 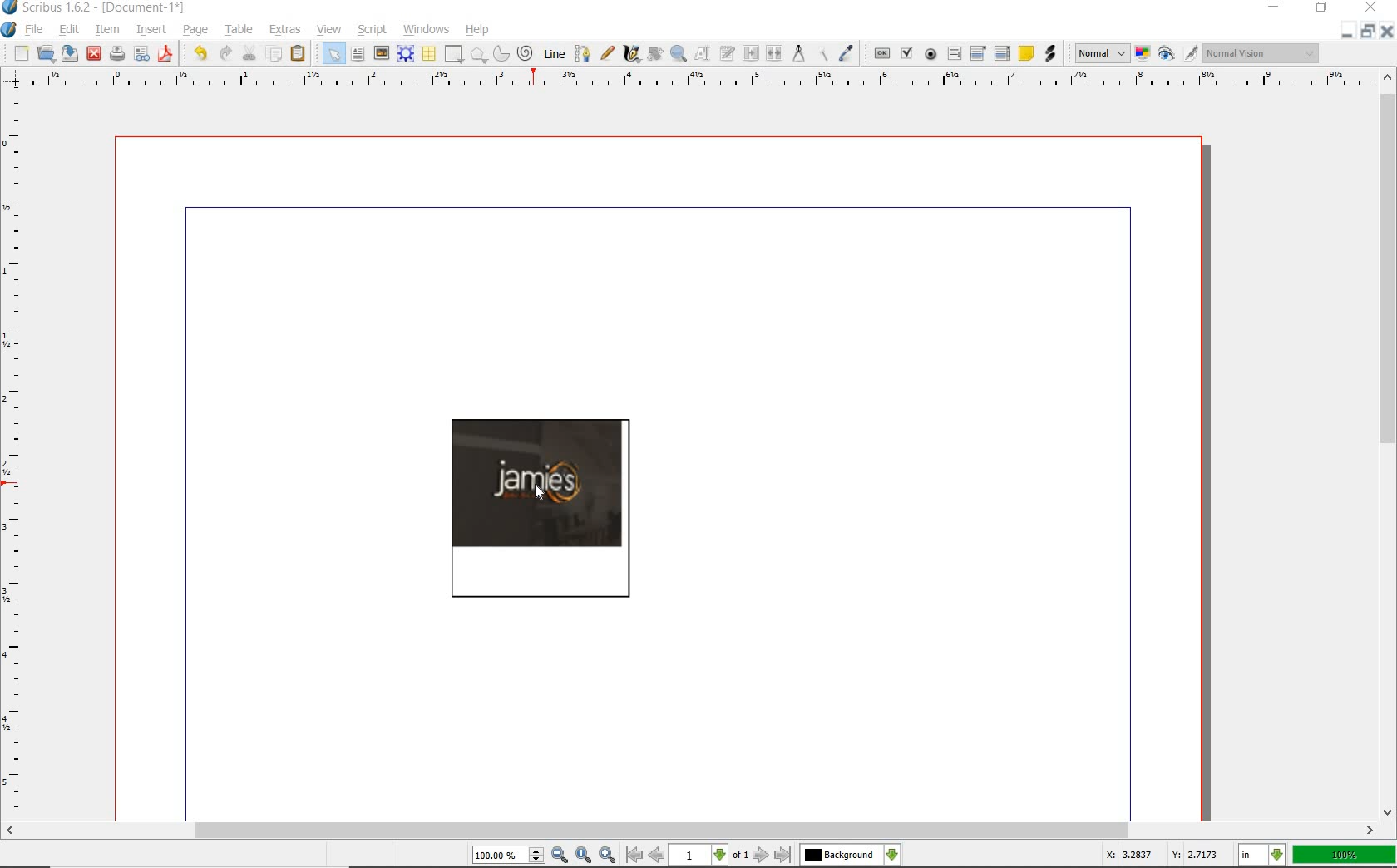 What do you see at coordinates (555, 55) in the screenshot?
I see `LINE` at bounding box center [555, 55].